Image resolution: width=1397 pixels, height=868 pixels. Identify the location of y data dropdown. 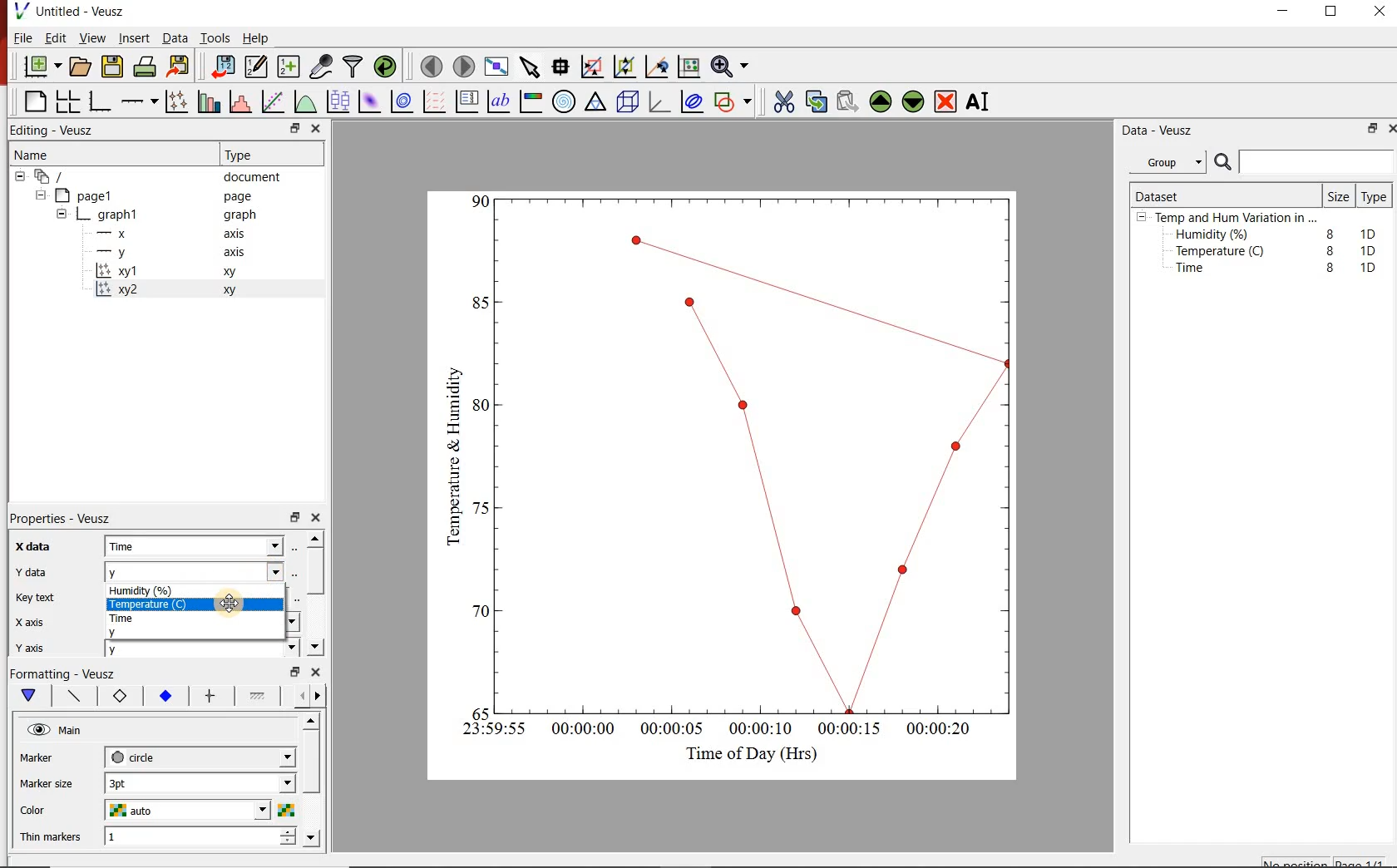
(249, 572).